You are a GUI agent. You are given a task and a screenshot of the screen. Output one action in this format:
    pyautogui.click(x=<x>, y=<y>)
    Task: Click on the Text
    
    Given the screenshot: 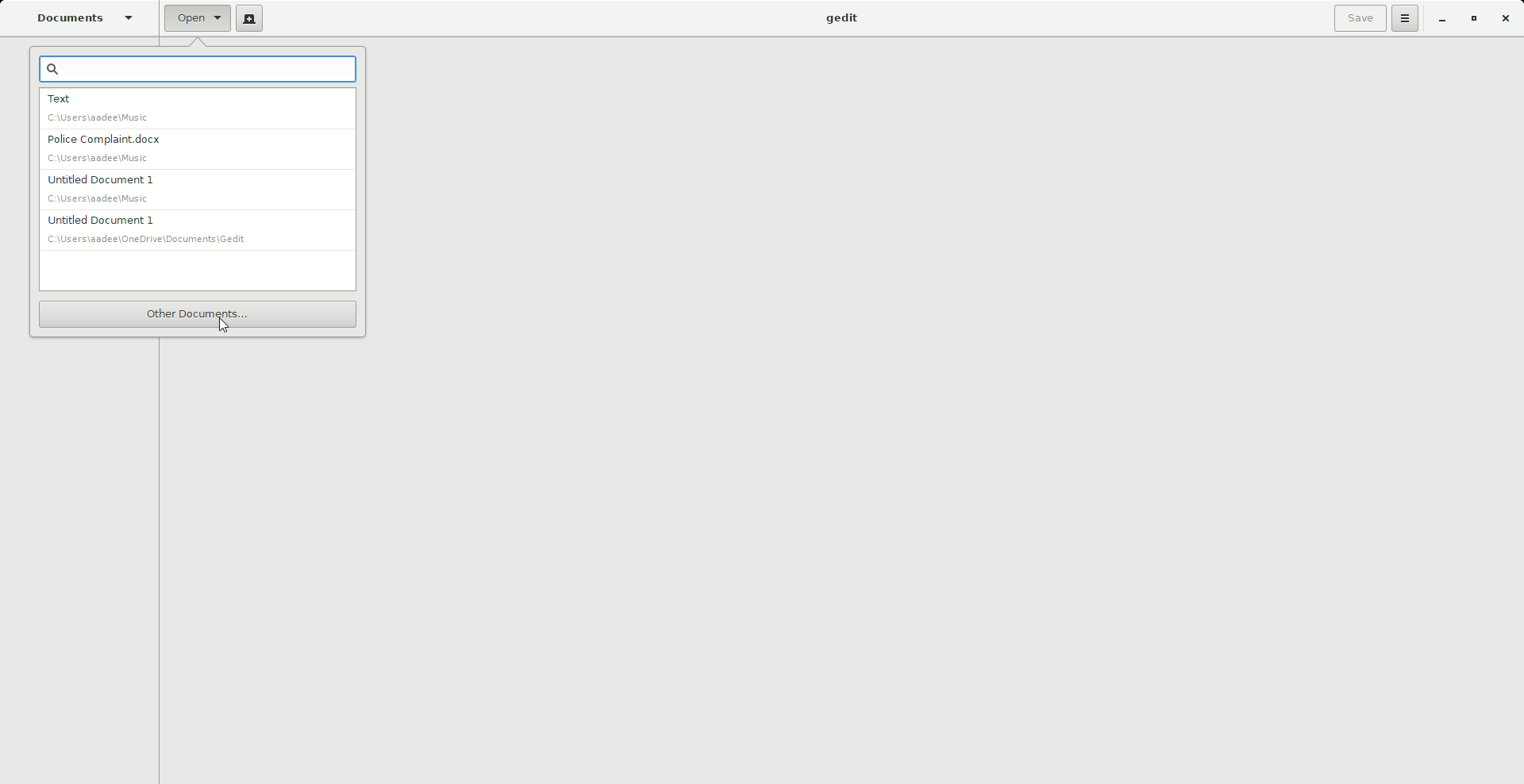 What is the action you would take?
    pyautogui.click(x=196, y=108)
    